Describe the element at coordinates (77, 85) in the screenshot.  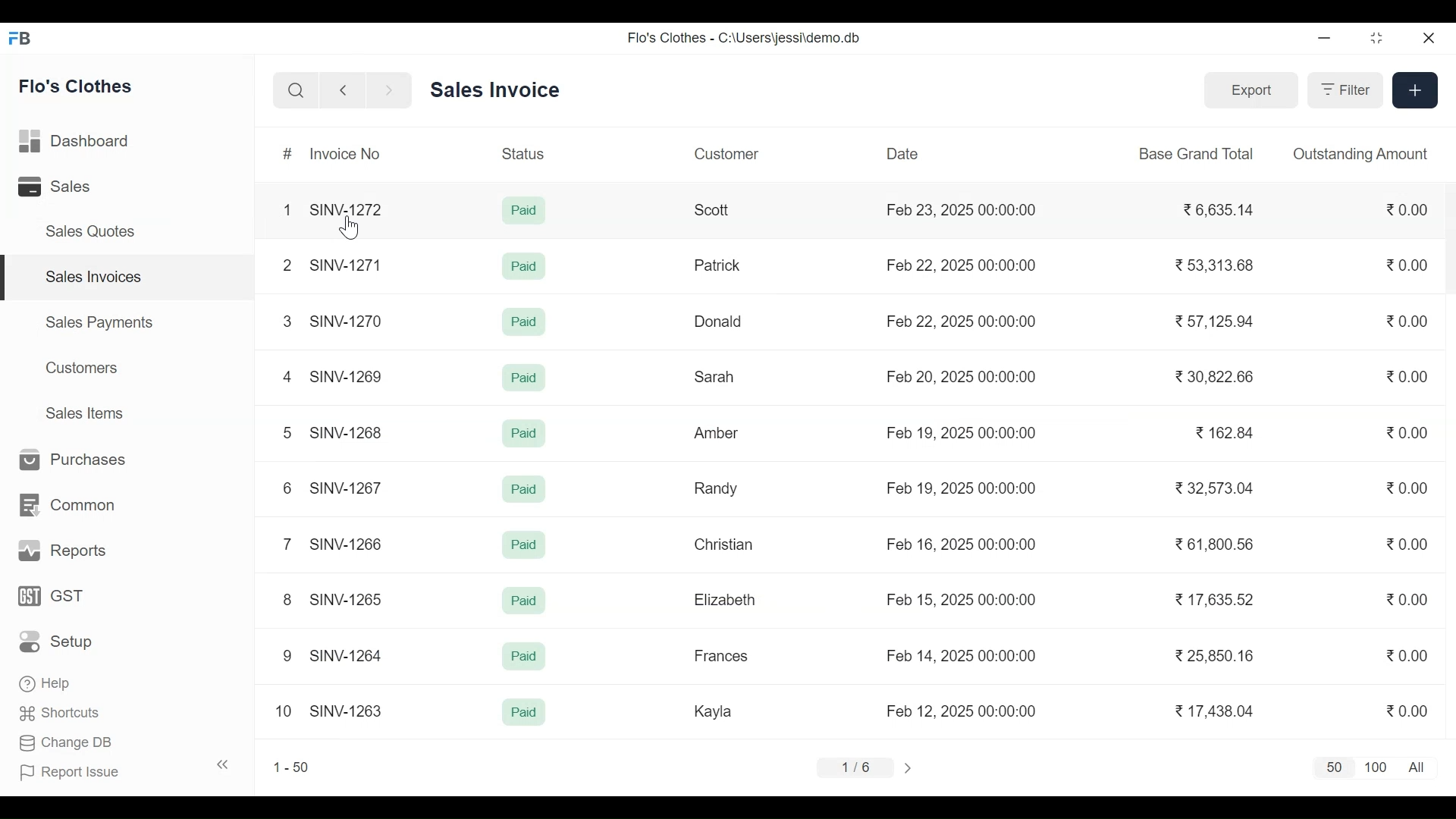
I see `Flo's Clothes` at that location.